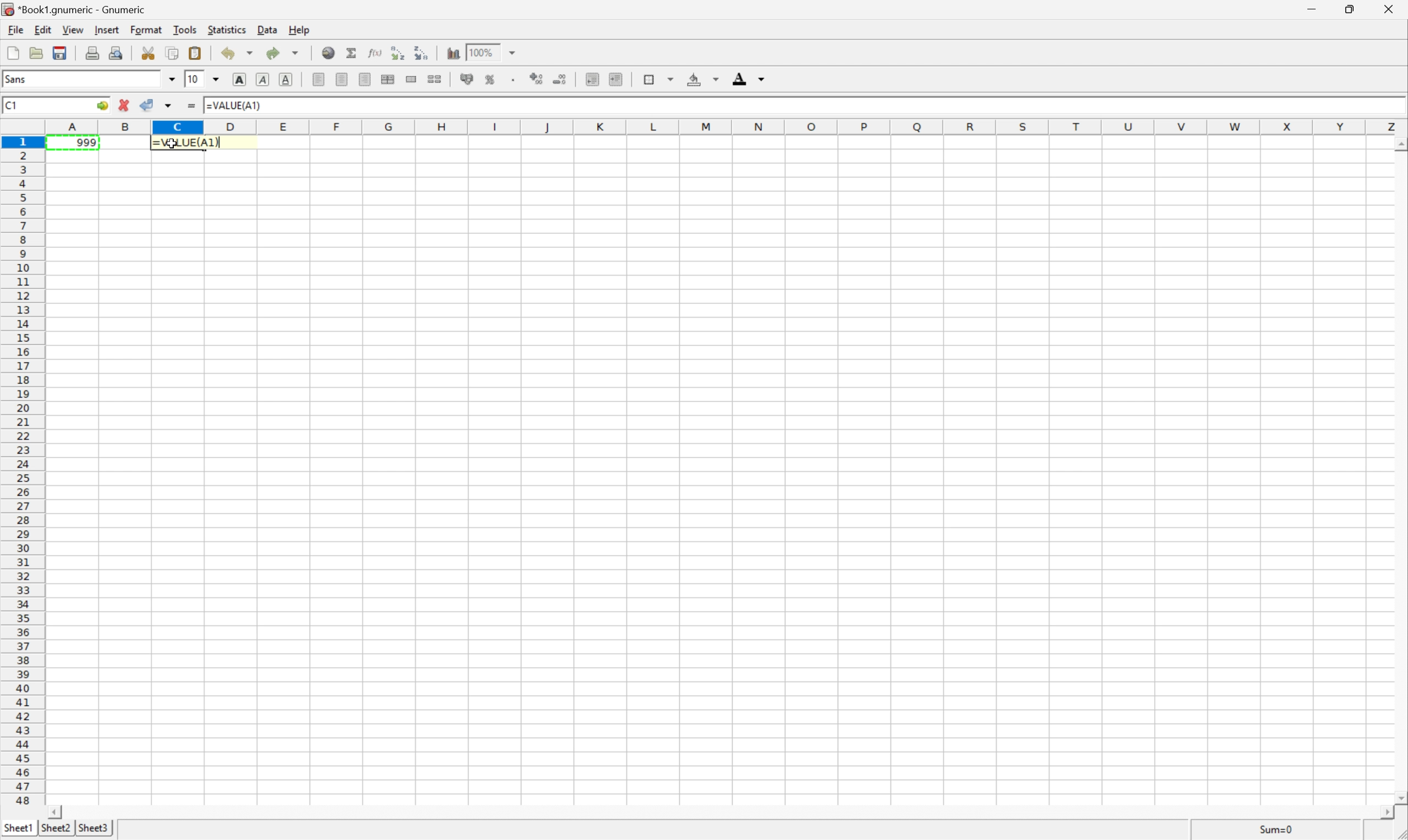 The image size is (1408, 840). What do you see at coordinates (1399, 799) in the screenshot?
I see `scroll down` at bounding box center [1399, 799].